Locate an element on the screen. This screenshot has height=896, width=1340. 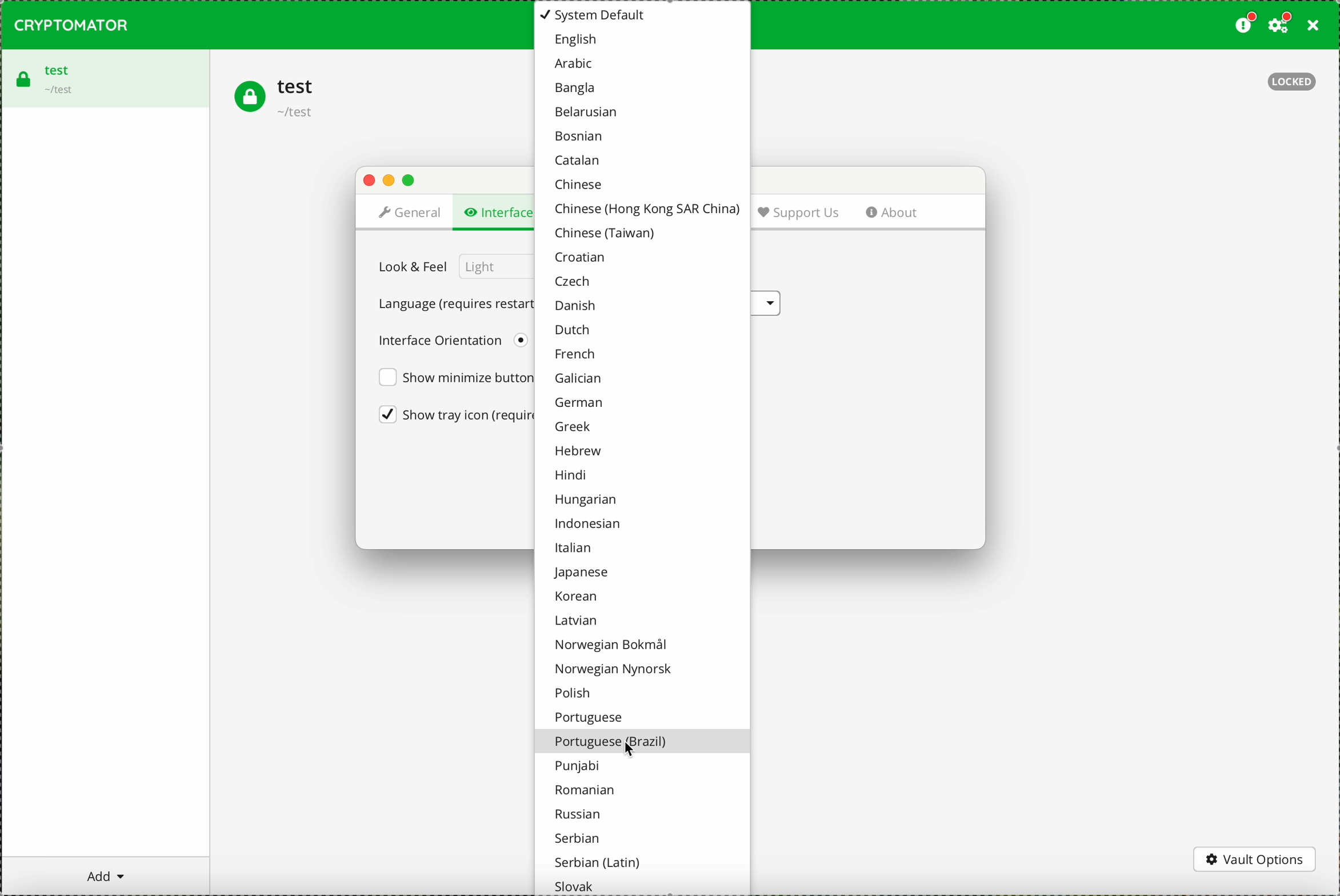
punjabi is located at coordinates (578, 769).